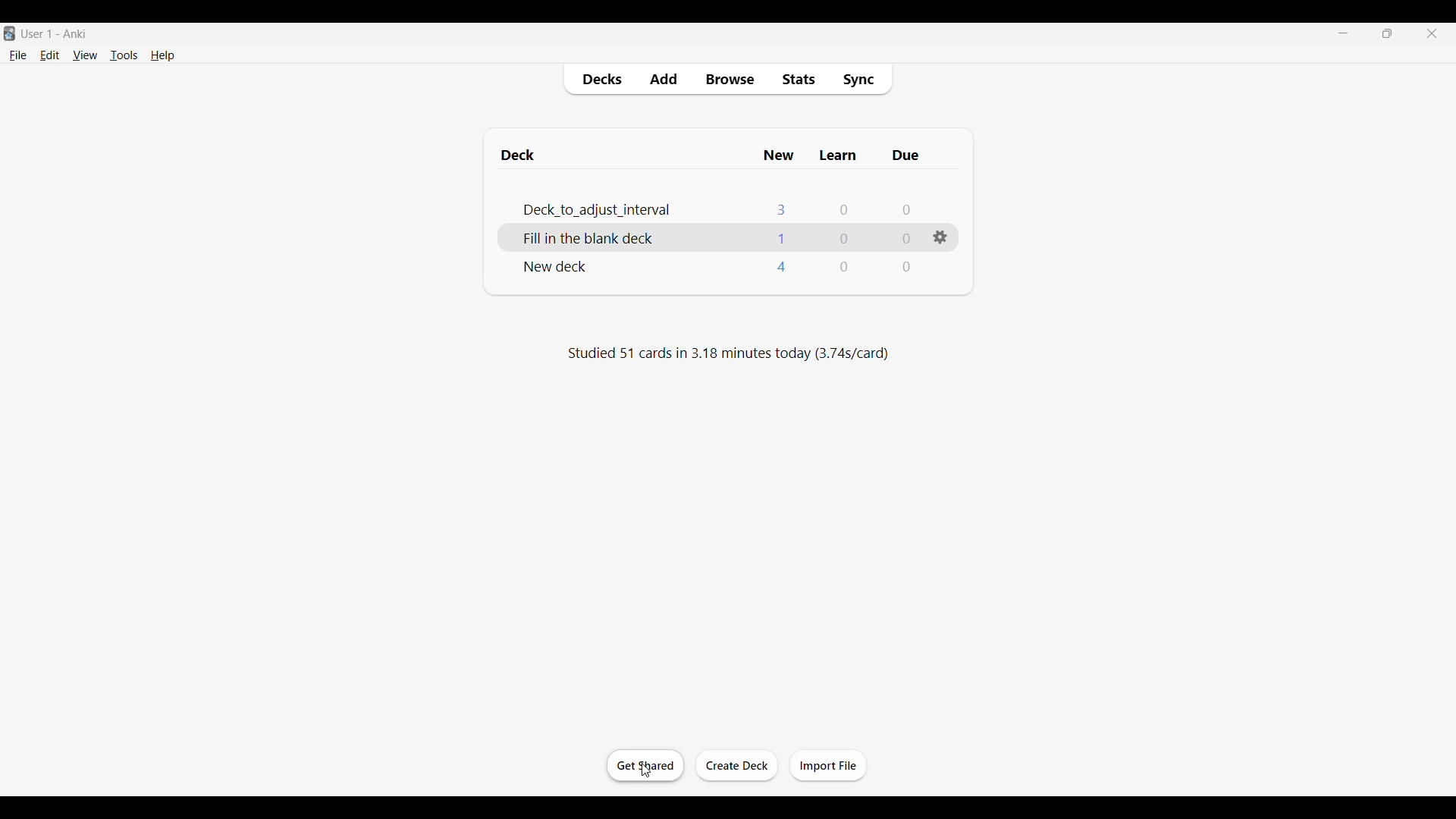 Image resolution: width=1456 pixels, height=819 pixels. What do you see at coordinates (737, 766) in the screenshot?
I see `Create deck` at bounding box center [737, 766].